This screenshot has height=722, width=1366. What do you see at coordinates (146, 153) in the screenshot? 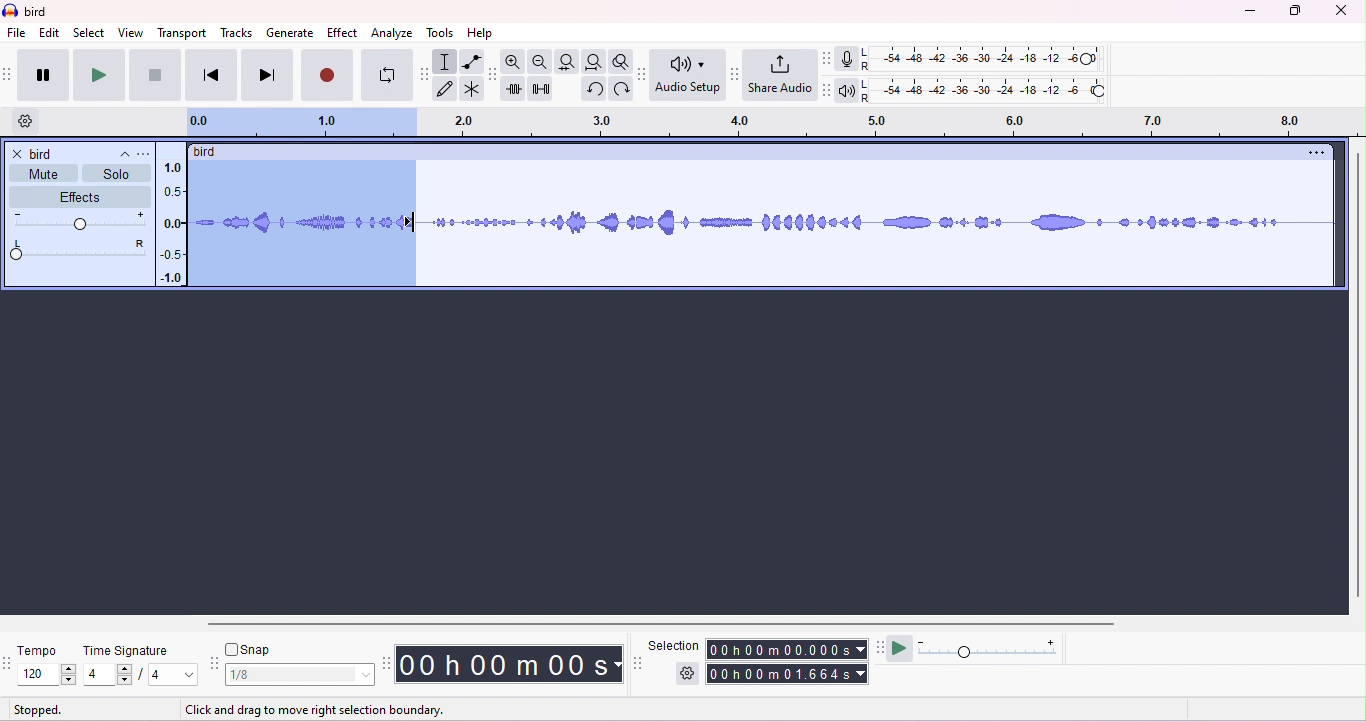
I see `track title` at bounding box center [146, 153].